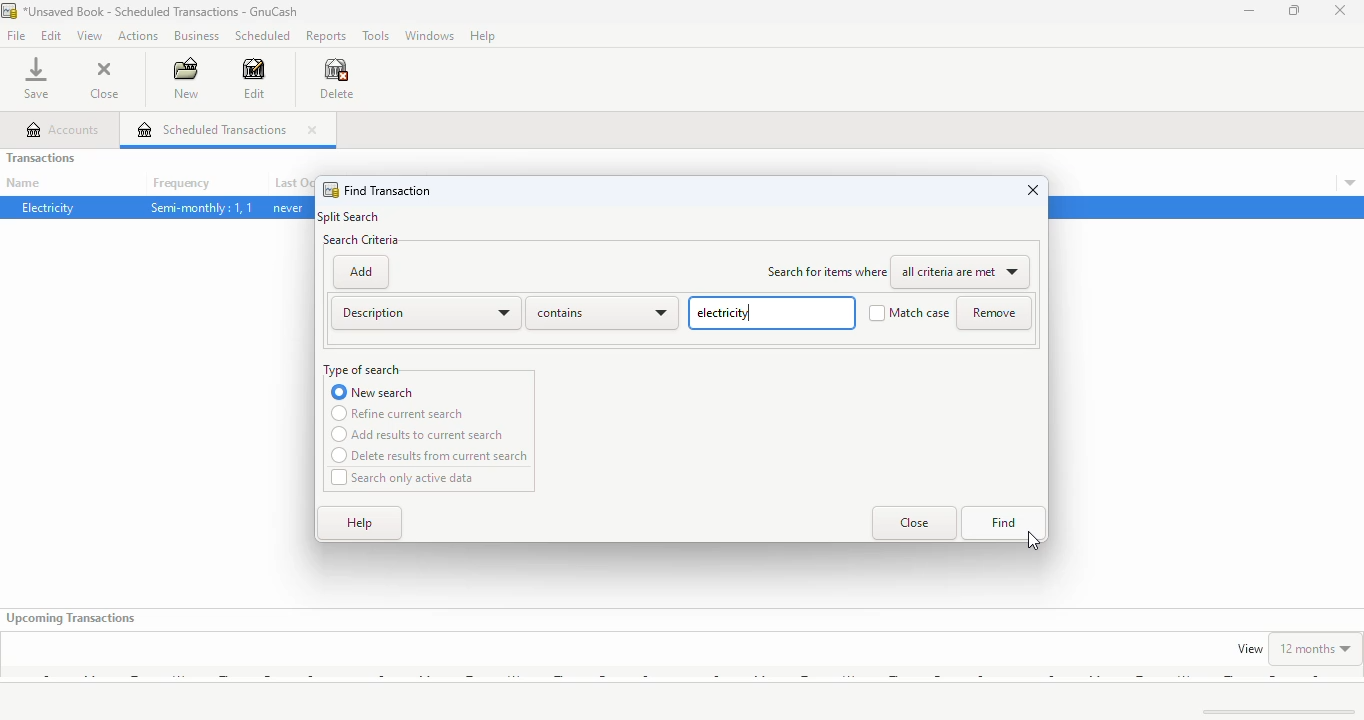  I want to click on search criteria, so click(361, 240).